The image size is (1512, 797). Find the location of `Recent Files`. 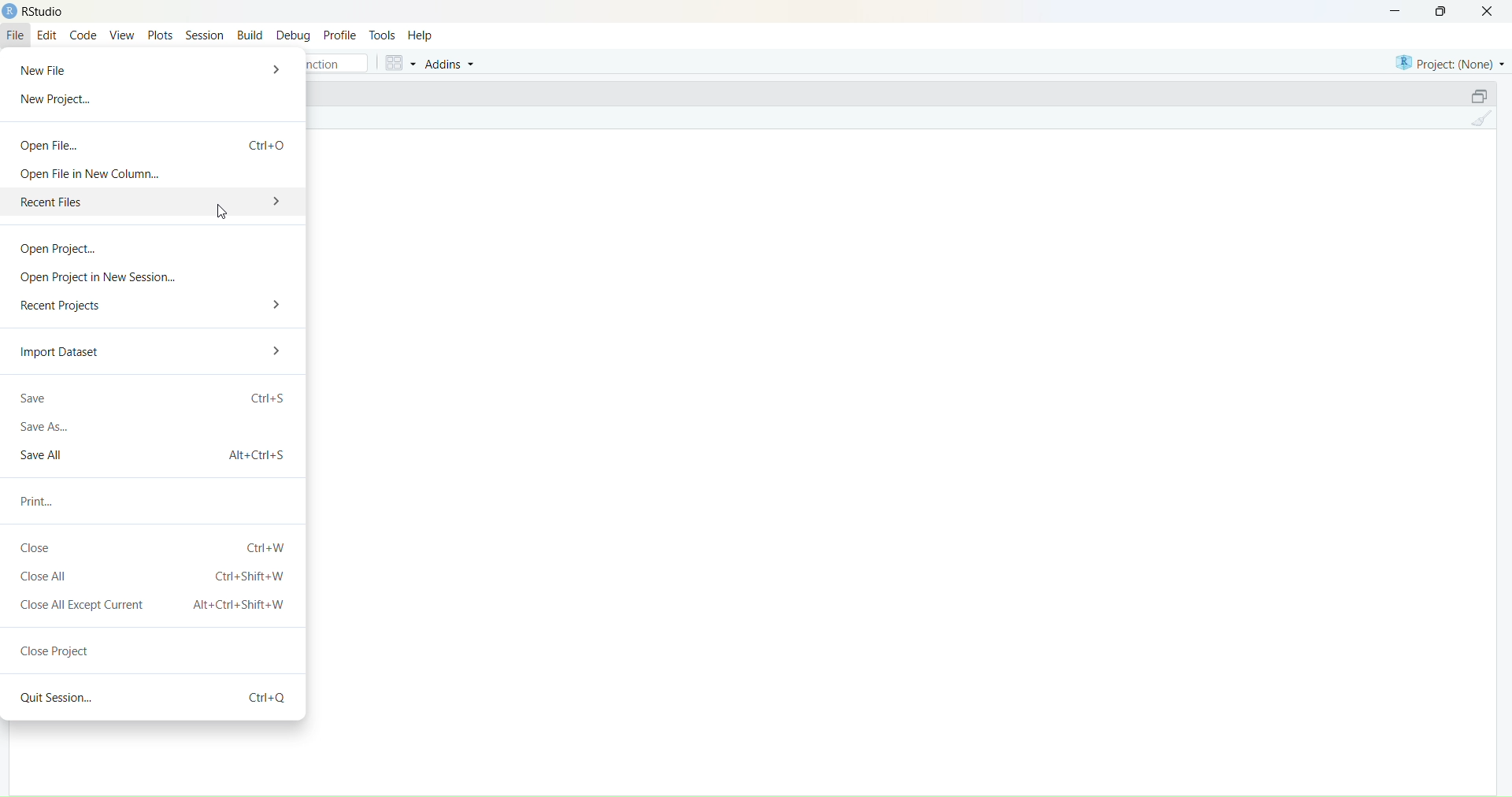

Recent Files is located at coordinates (131, 201).